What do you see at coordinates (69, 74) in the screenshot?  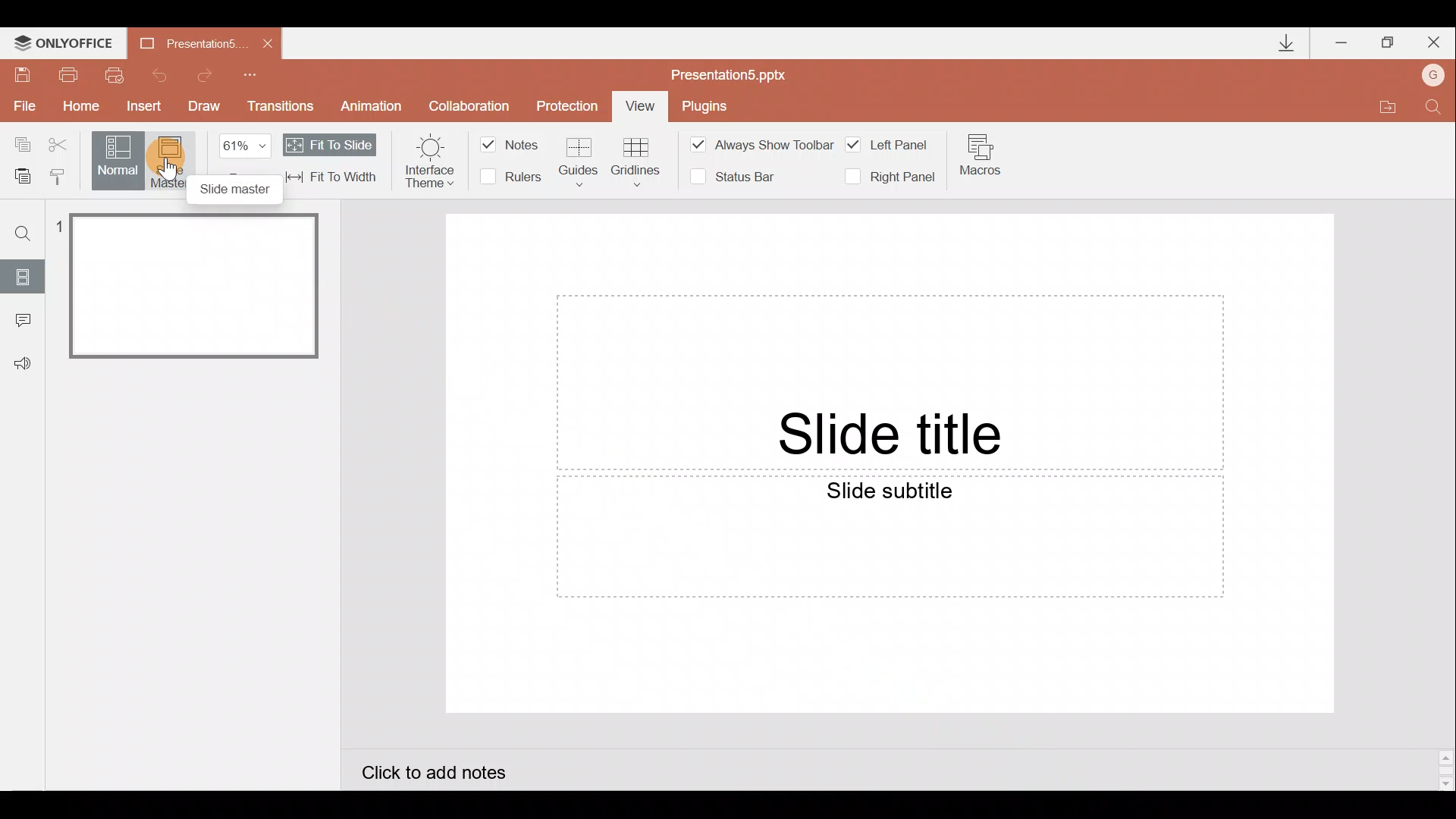 I see `Print file` at bounding box center [69, 74].